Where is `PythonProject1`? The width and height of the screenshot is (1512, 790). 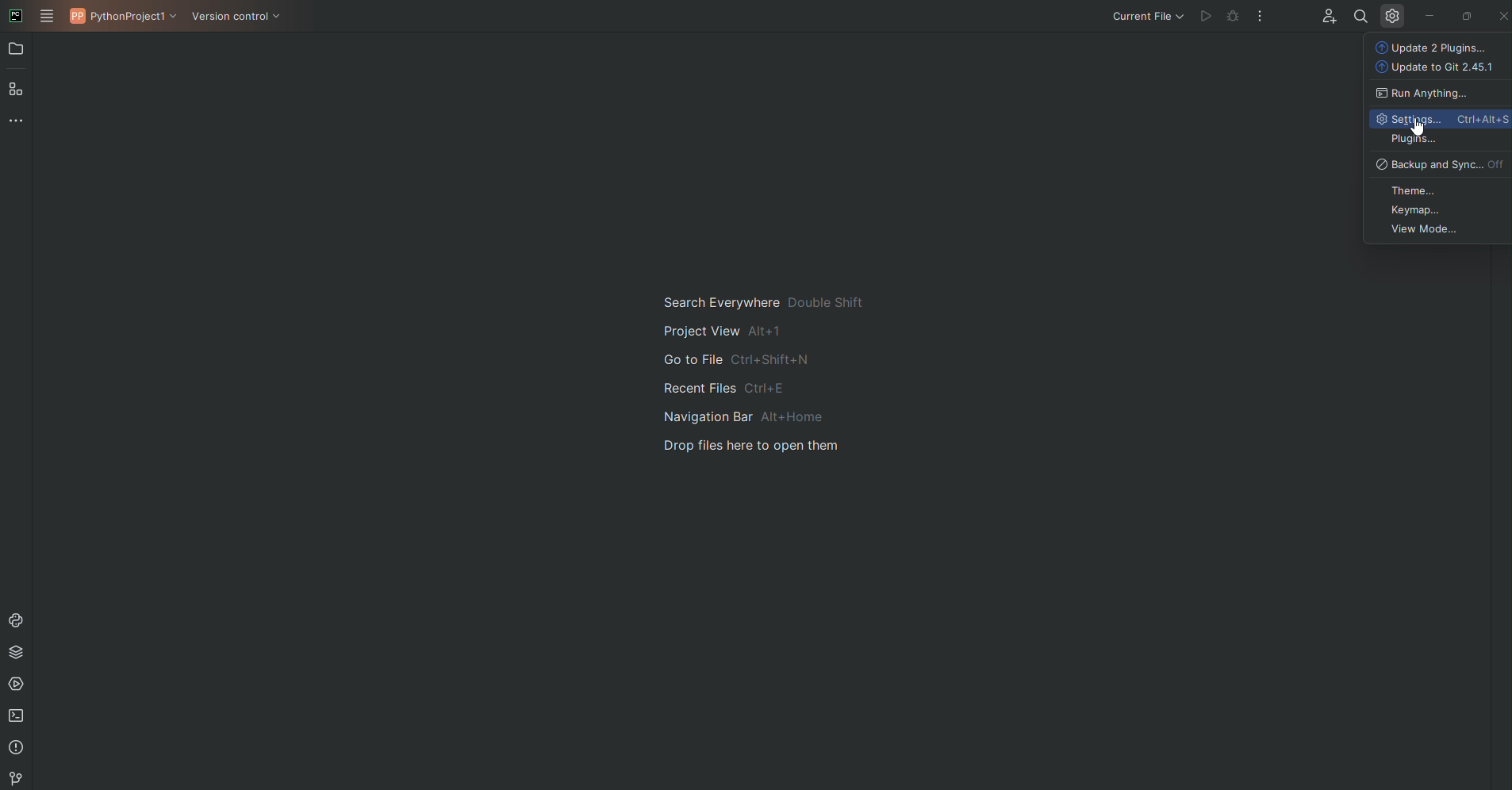
PythonProject1 is located at coordinates (125, 19).